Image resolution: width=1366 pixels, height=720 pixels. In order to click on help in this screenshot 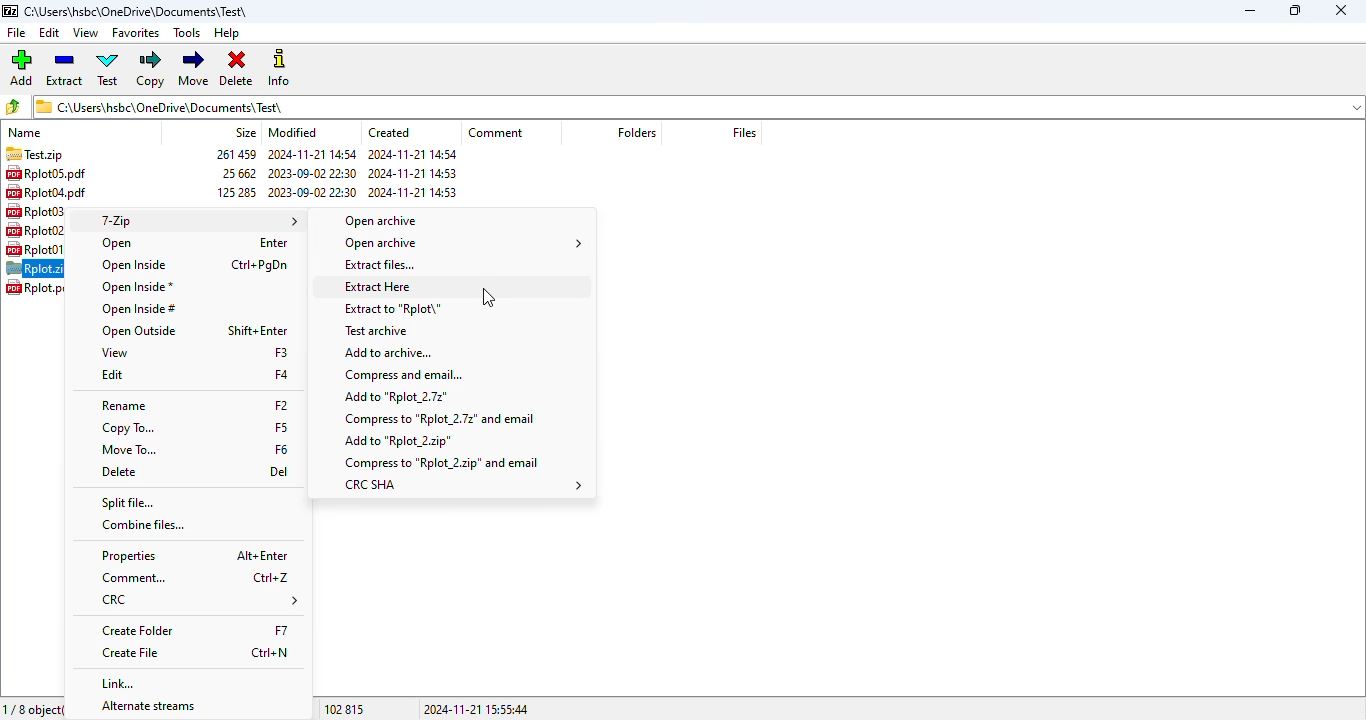, I will do `click(227, 33)`.